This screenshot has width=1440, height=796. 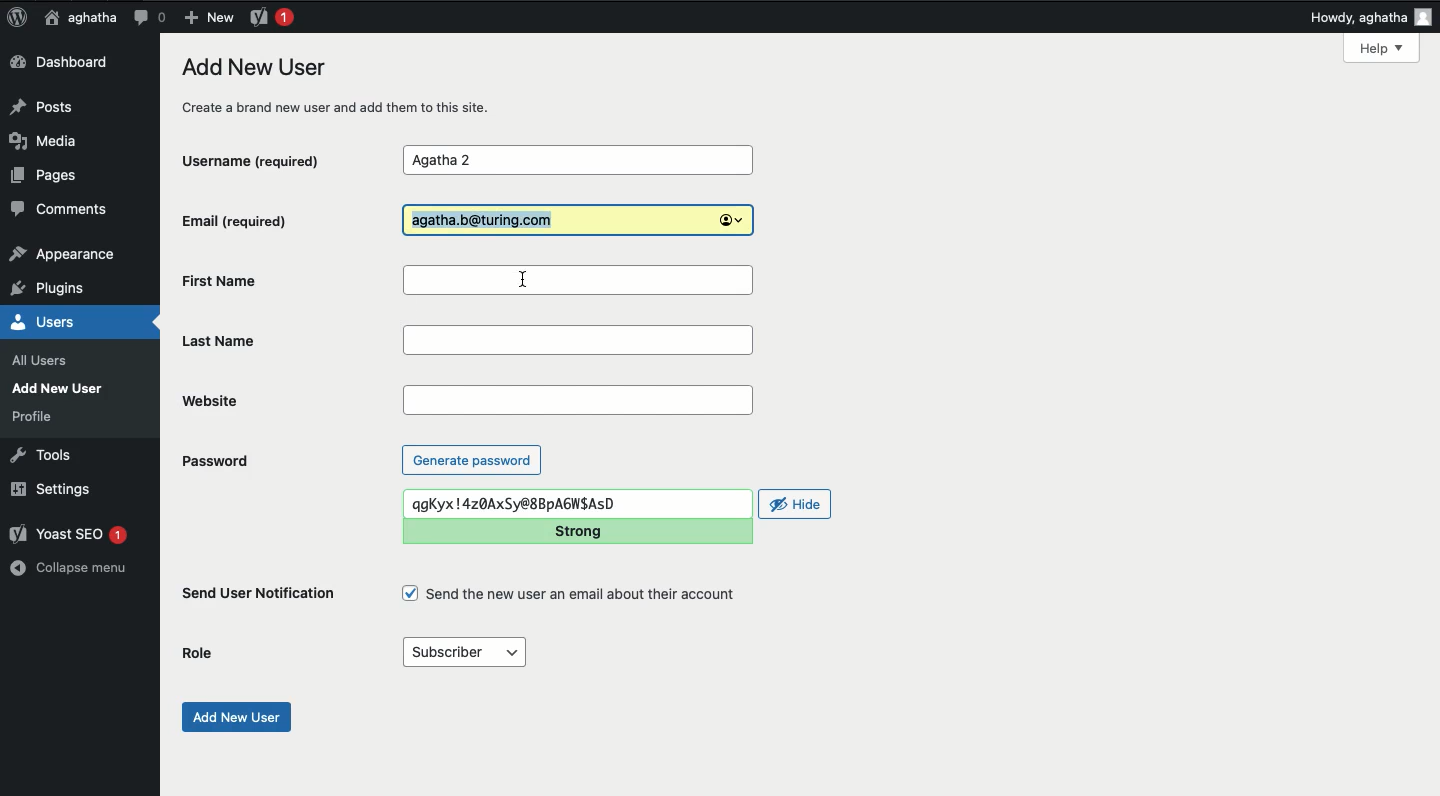 I want to click on Generate password, so click(x=472, y=459).